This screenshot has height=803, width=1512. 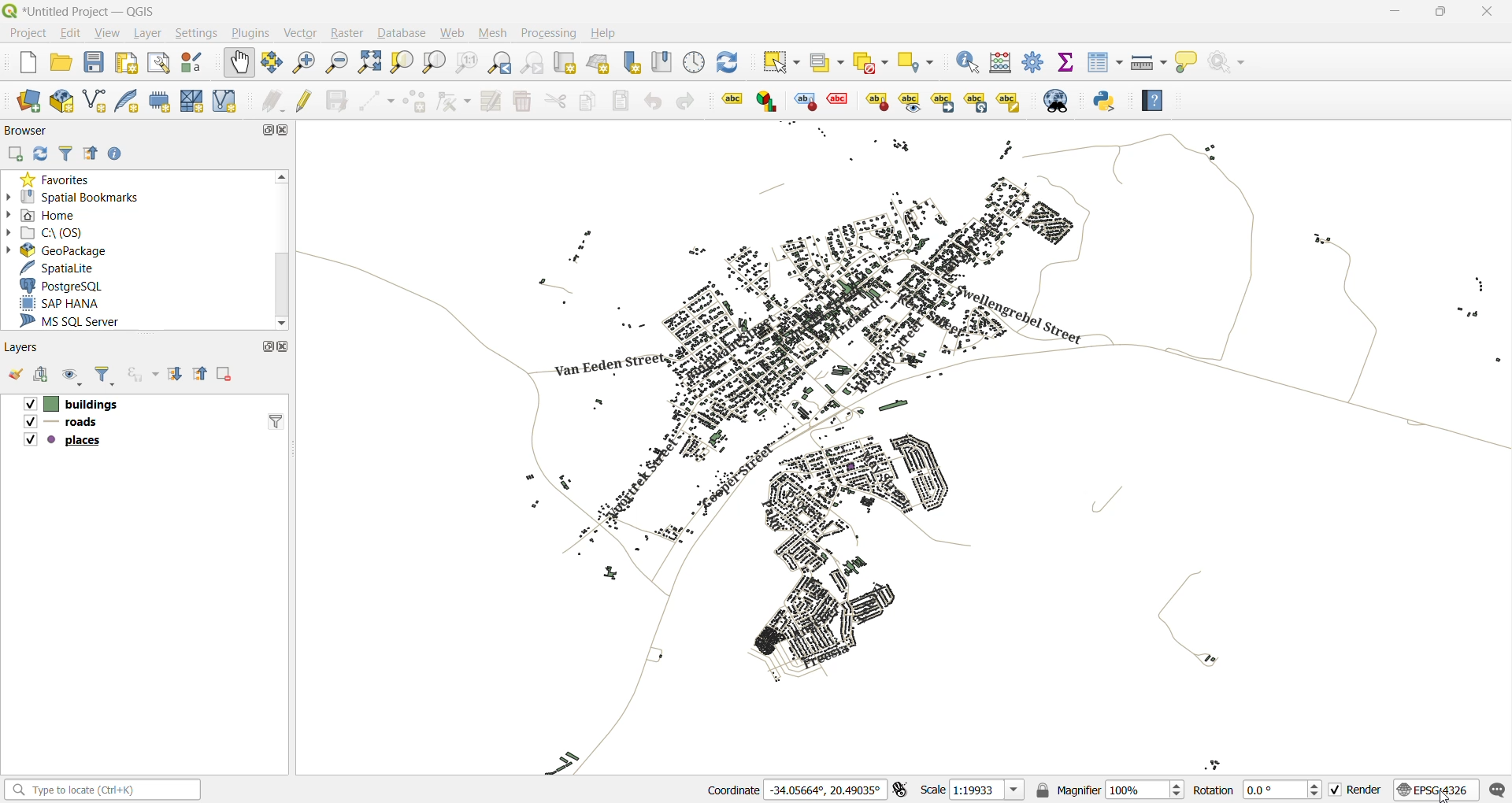 What do you see at coordinates (94, 64) in the screenshot?
I see `save` at bounding box center [94, 64].